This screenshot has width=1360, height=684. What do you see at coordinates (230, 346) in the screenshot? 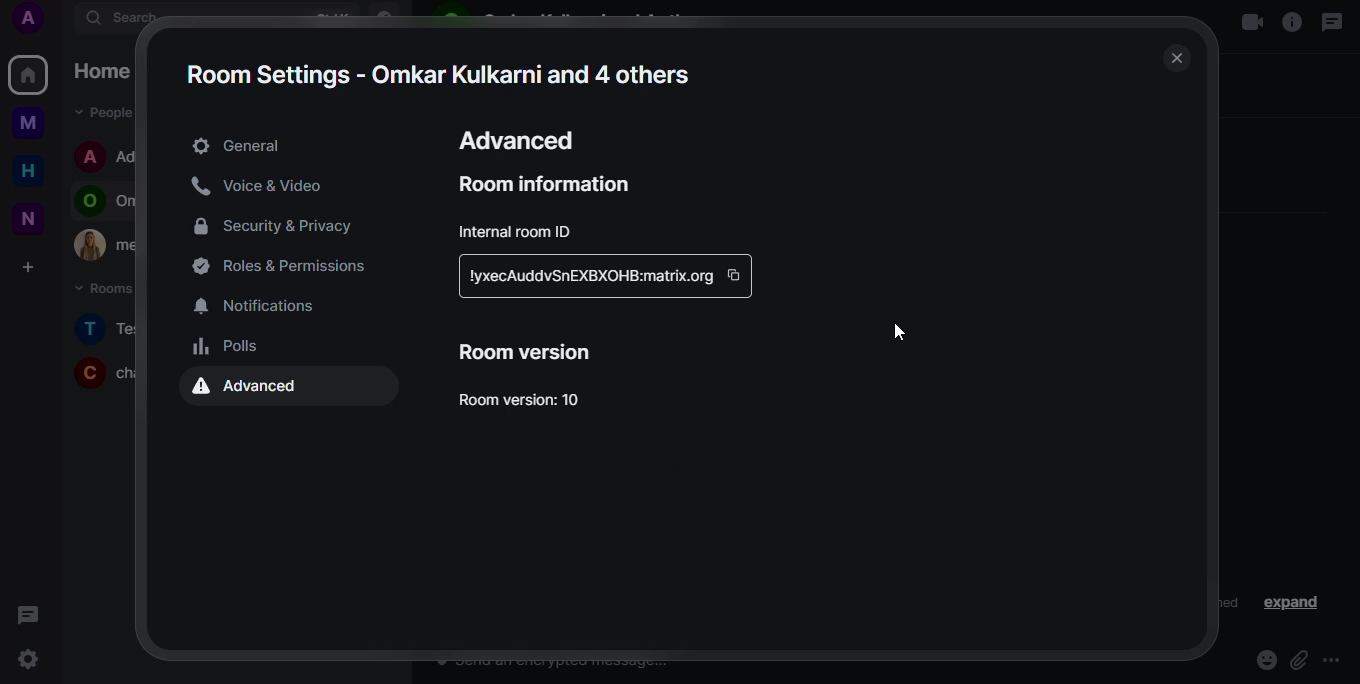
I see `polls` at bounding box center [230, 346].